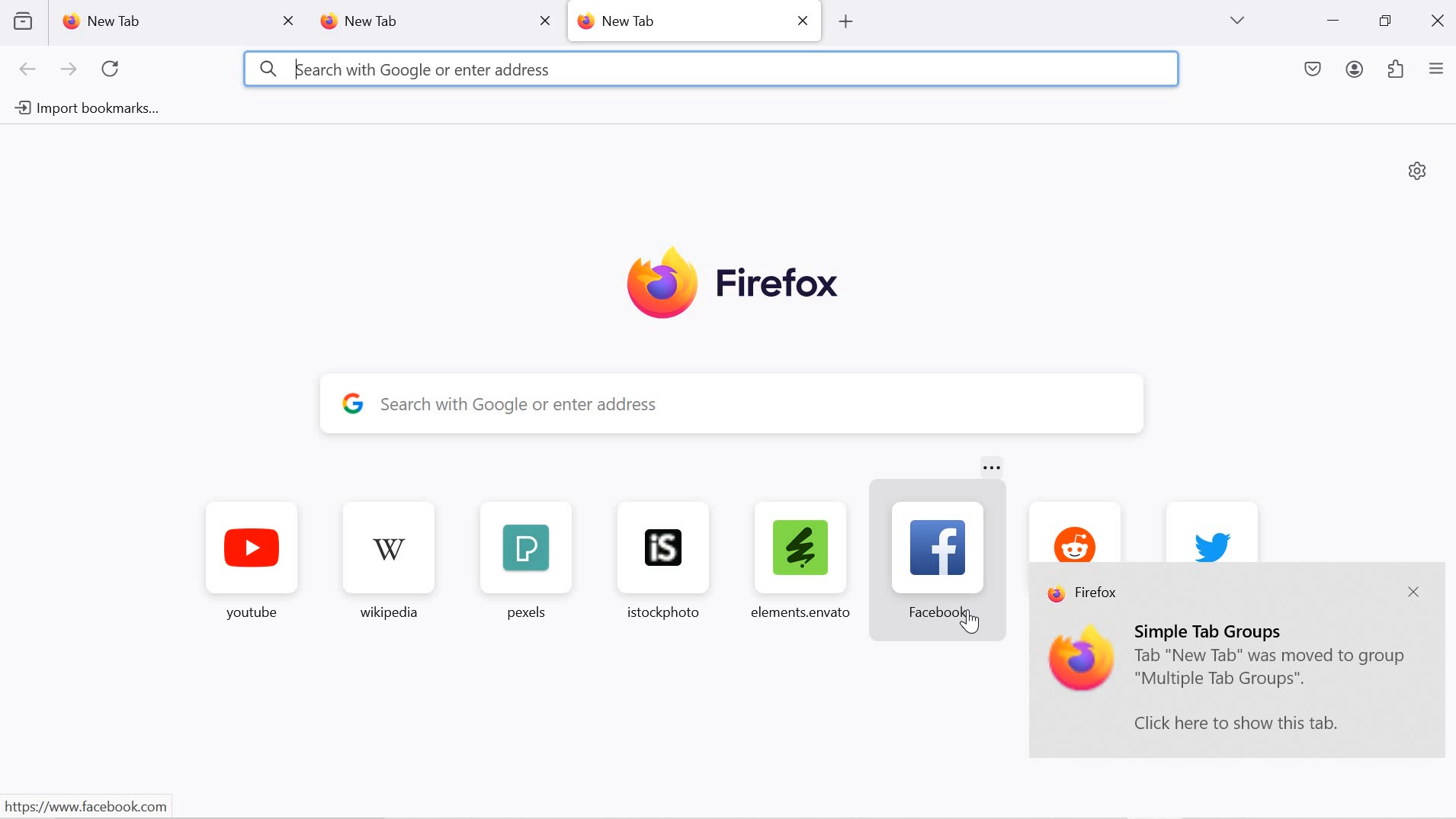  Describe the element at coordinates (69, 70) in the screenshot. I see `next page` at that location.